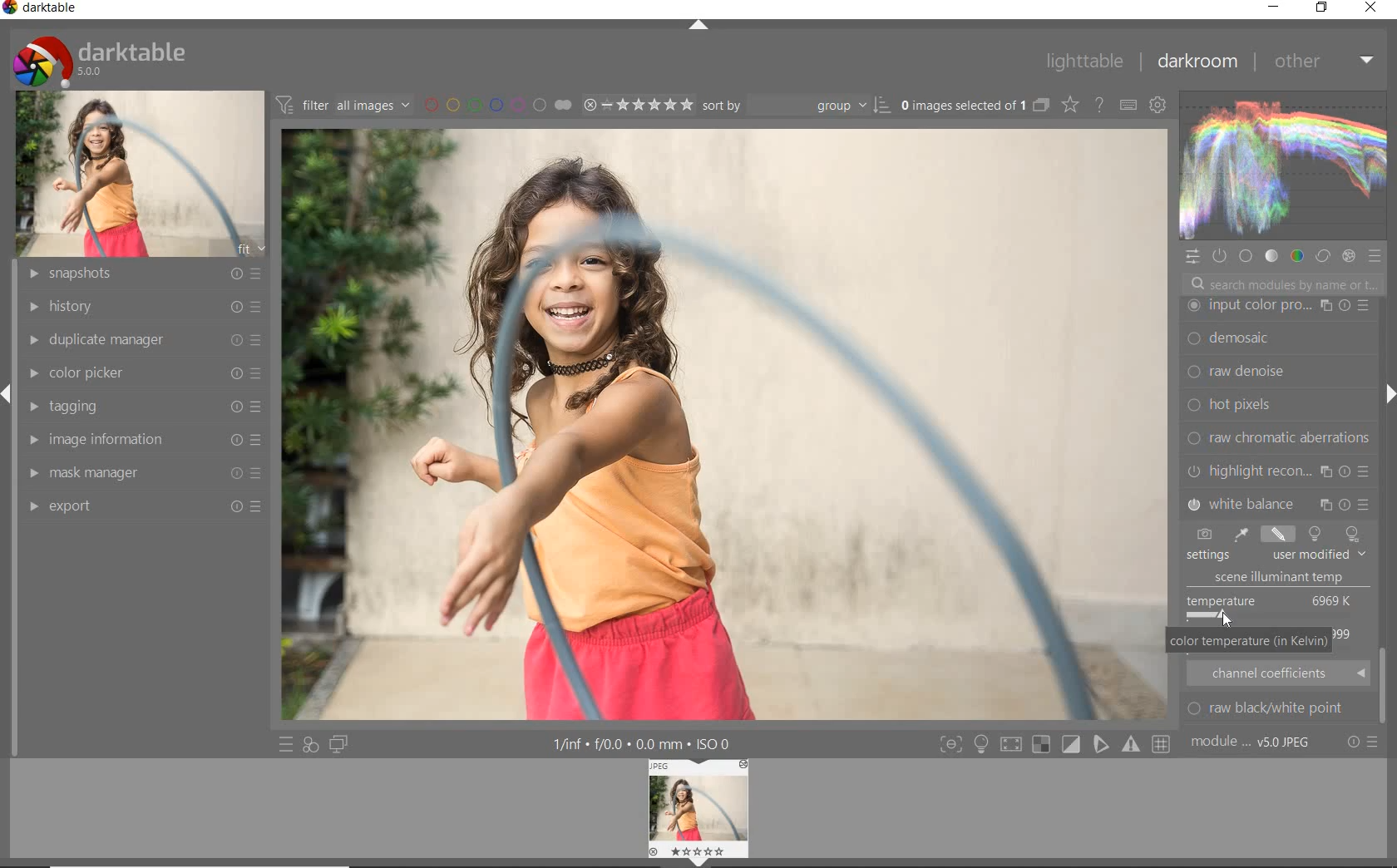 The width and height of the screenshot is (1397, 868). Describe the element at coordinates (139, 274) in the screenshot. I see `snapshots` at that location.